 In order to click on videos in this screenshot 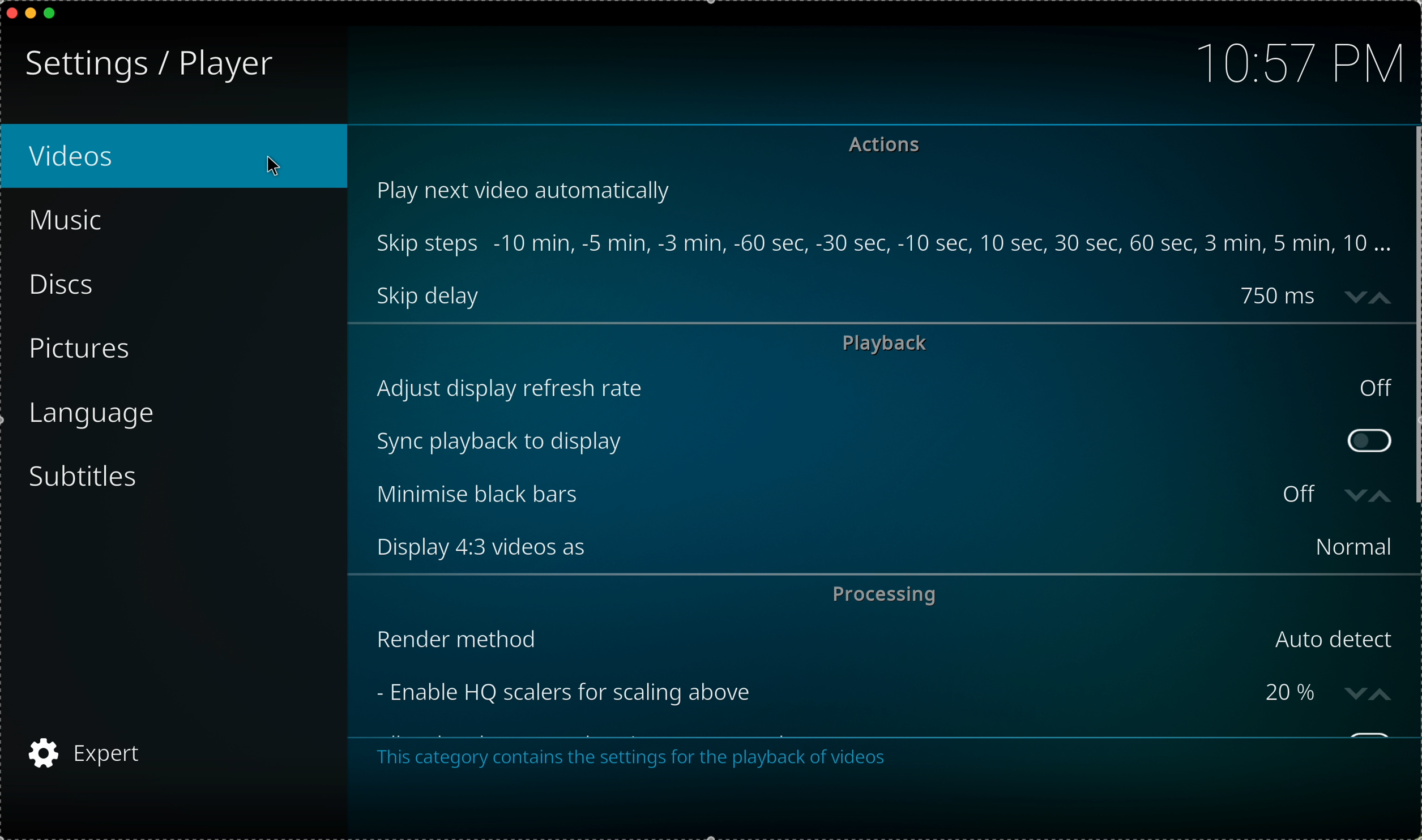, I will do `click(174, 158)`.